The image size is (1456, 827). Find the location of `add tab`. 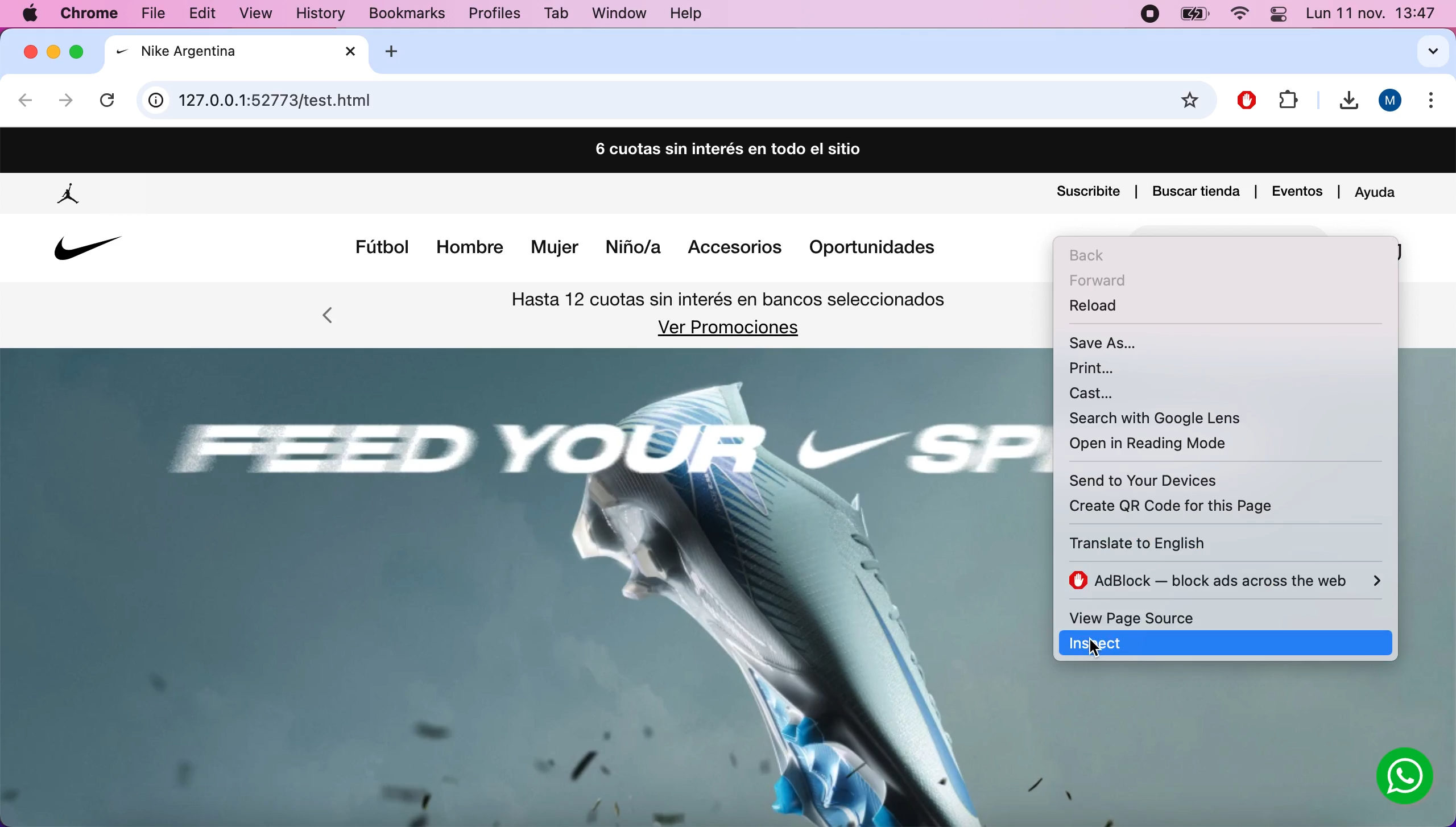

add tab is located at coordinates (400, 51).